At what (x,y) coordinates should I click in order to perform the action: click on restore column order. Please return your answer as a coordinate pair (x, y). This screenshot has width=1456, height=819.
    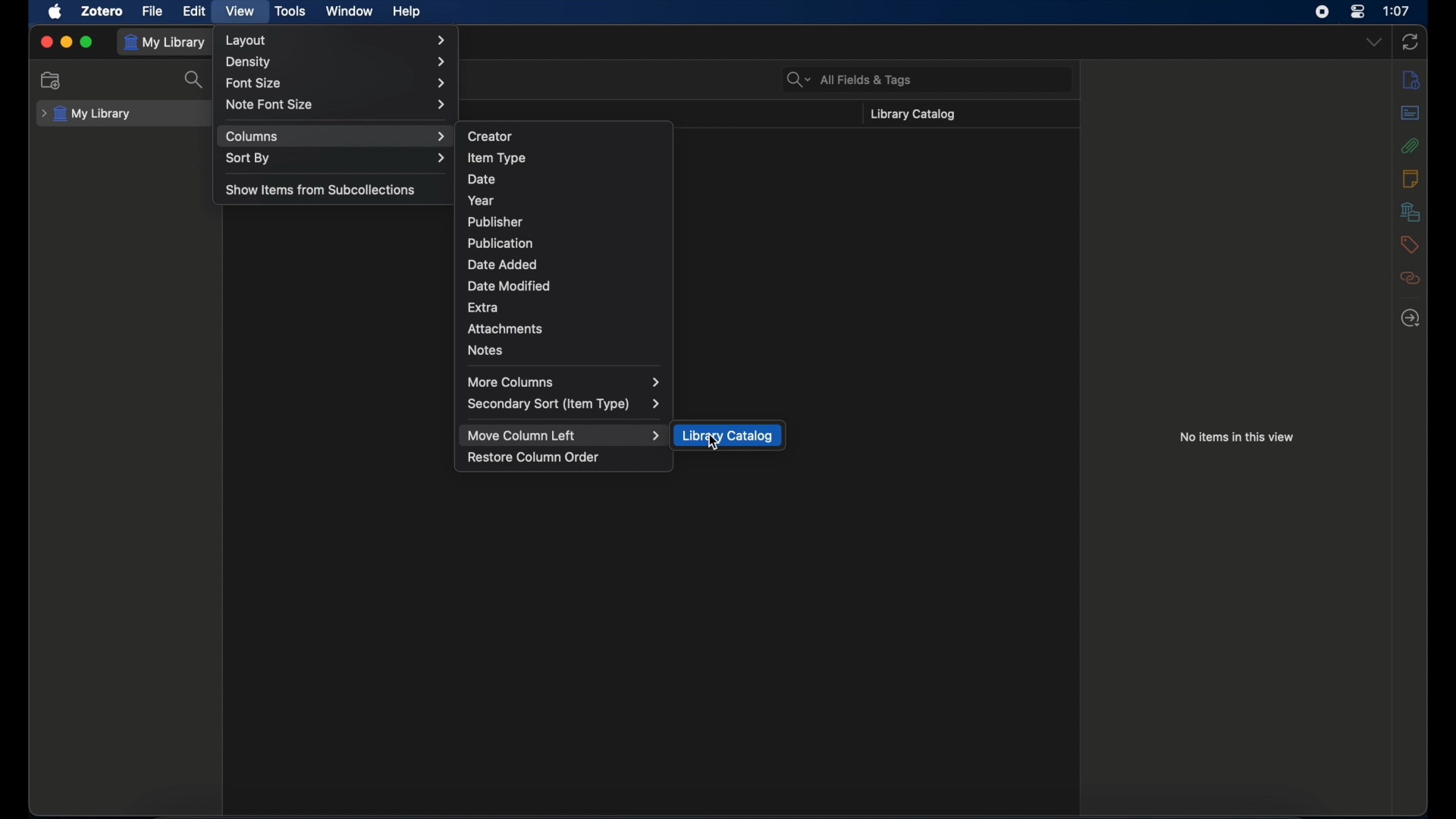
    Looking at the image, I should click on (533, 457).